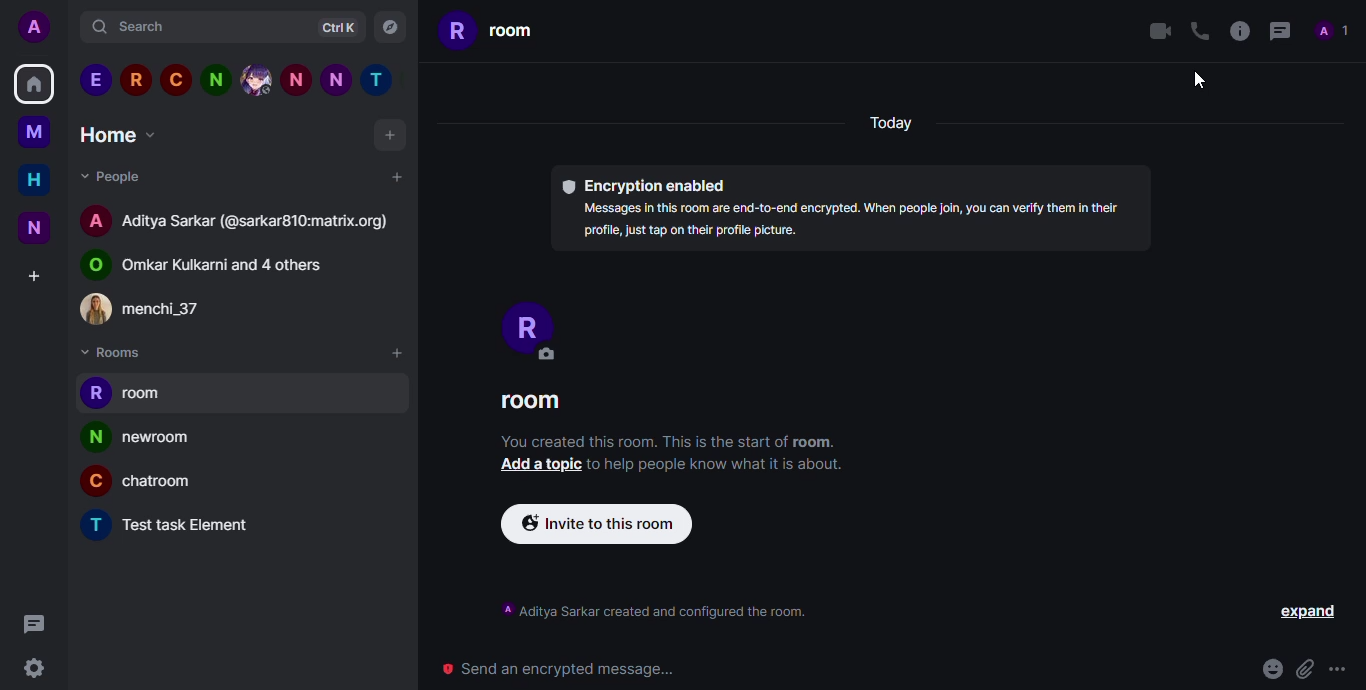  I want to click on room, so click(528, 401).